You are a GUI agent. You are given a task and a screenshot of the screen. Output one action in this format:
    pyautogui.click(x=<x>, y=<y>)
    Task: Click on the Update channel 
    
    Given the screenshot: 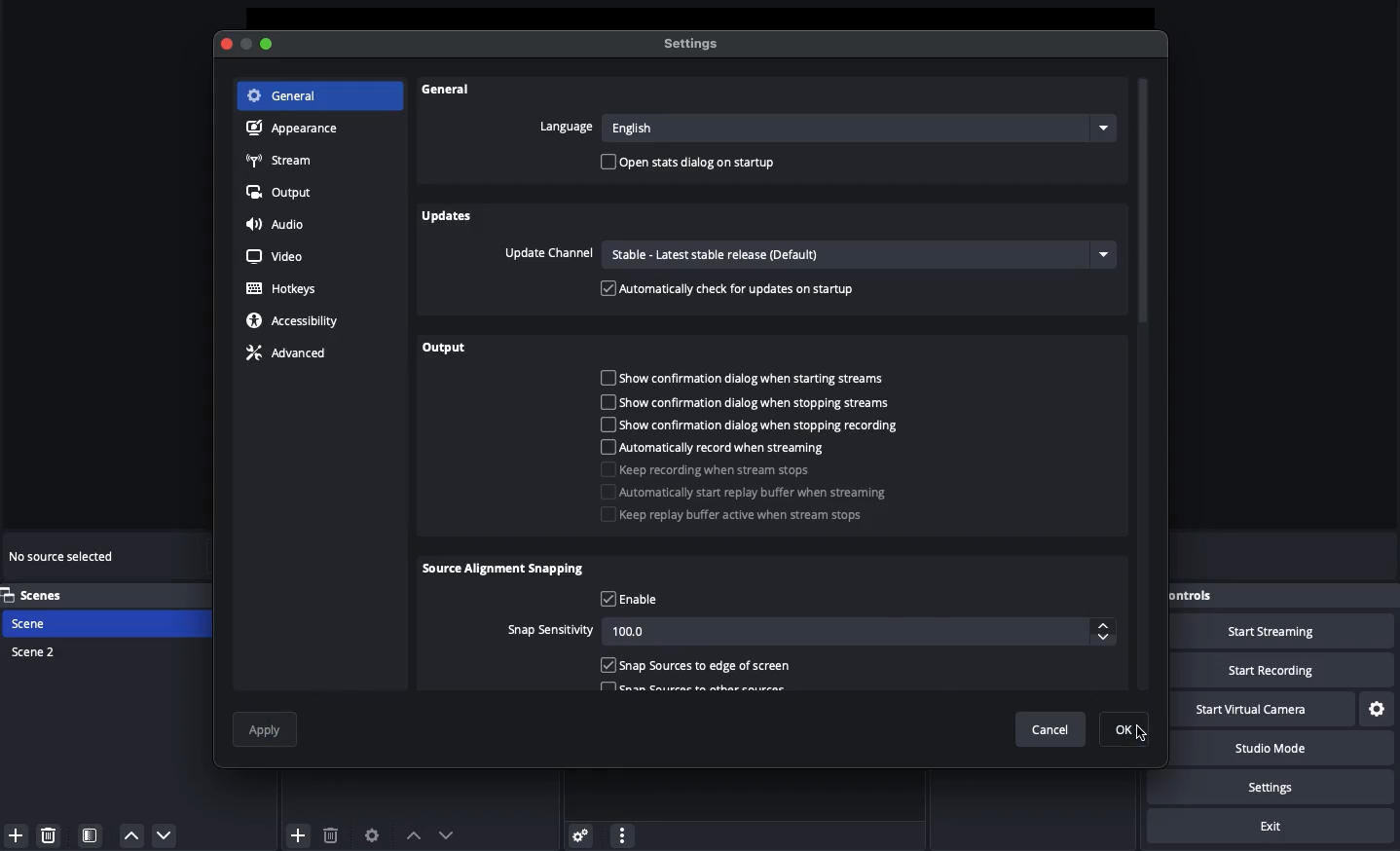 What is the action you would take?
    pyautogui.click(x=806, y=254)
    